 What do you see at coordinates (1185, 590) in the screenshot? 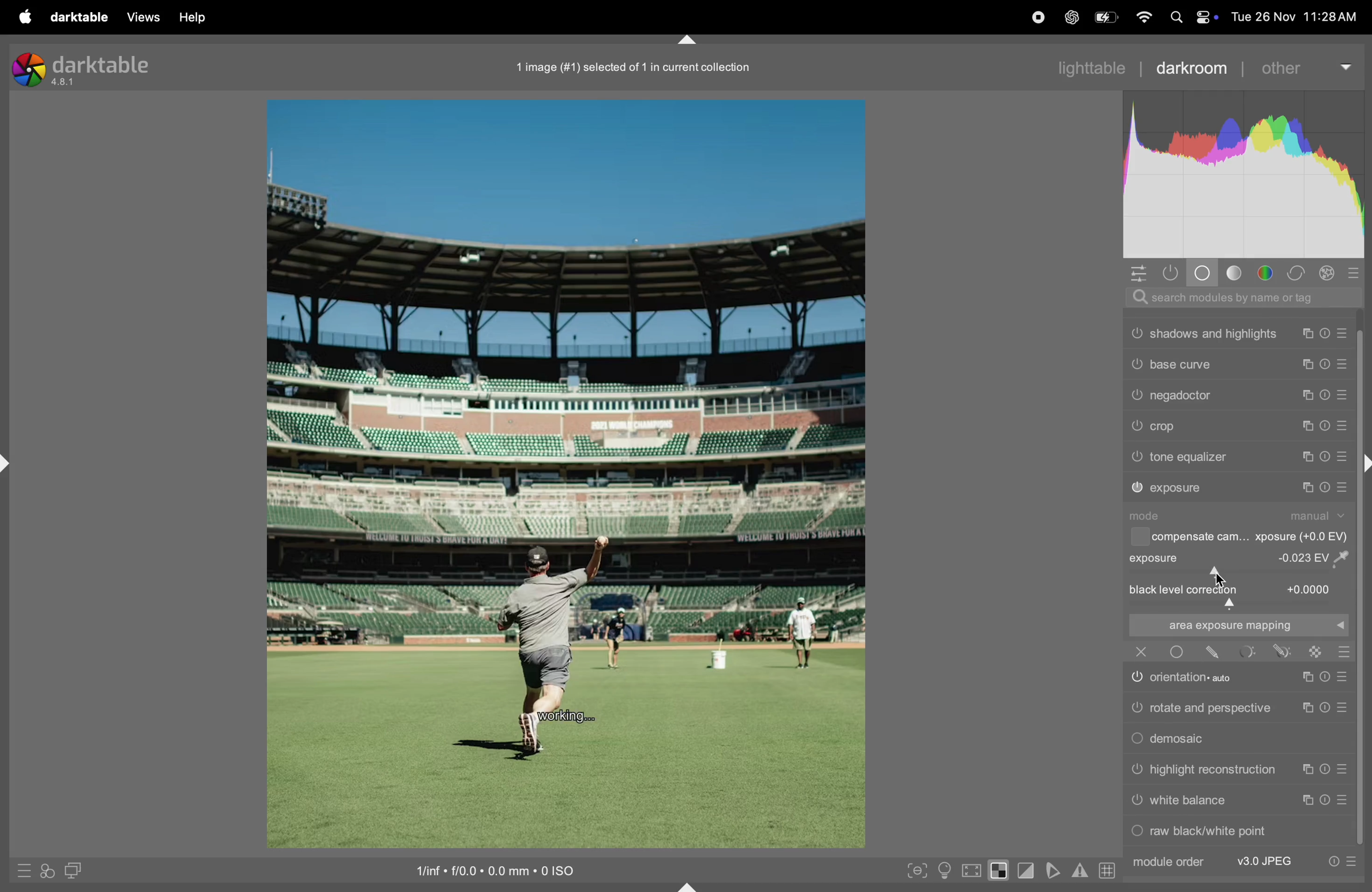
I see `black level correcion` at bounding box center [1185, 590].